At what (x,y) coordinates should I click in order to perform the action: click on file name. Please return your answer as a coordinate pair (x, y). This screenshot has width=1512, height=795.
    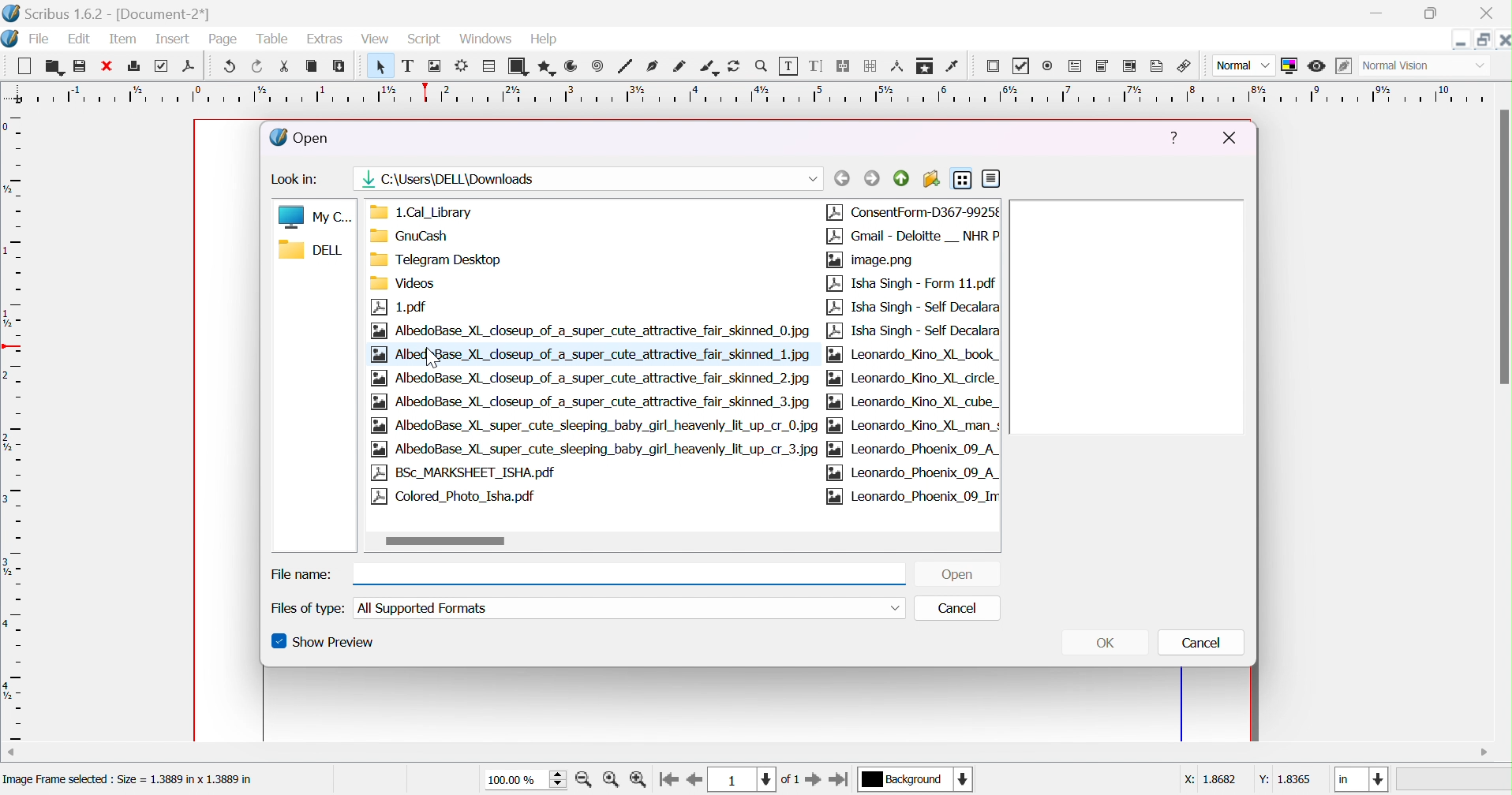
    Looking at the image, I should click on (626, 573).